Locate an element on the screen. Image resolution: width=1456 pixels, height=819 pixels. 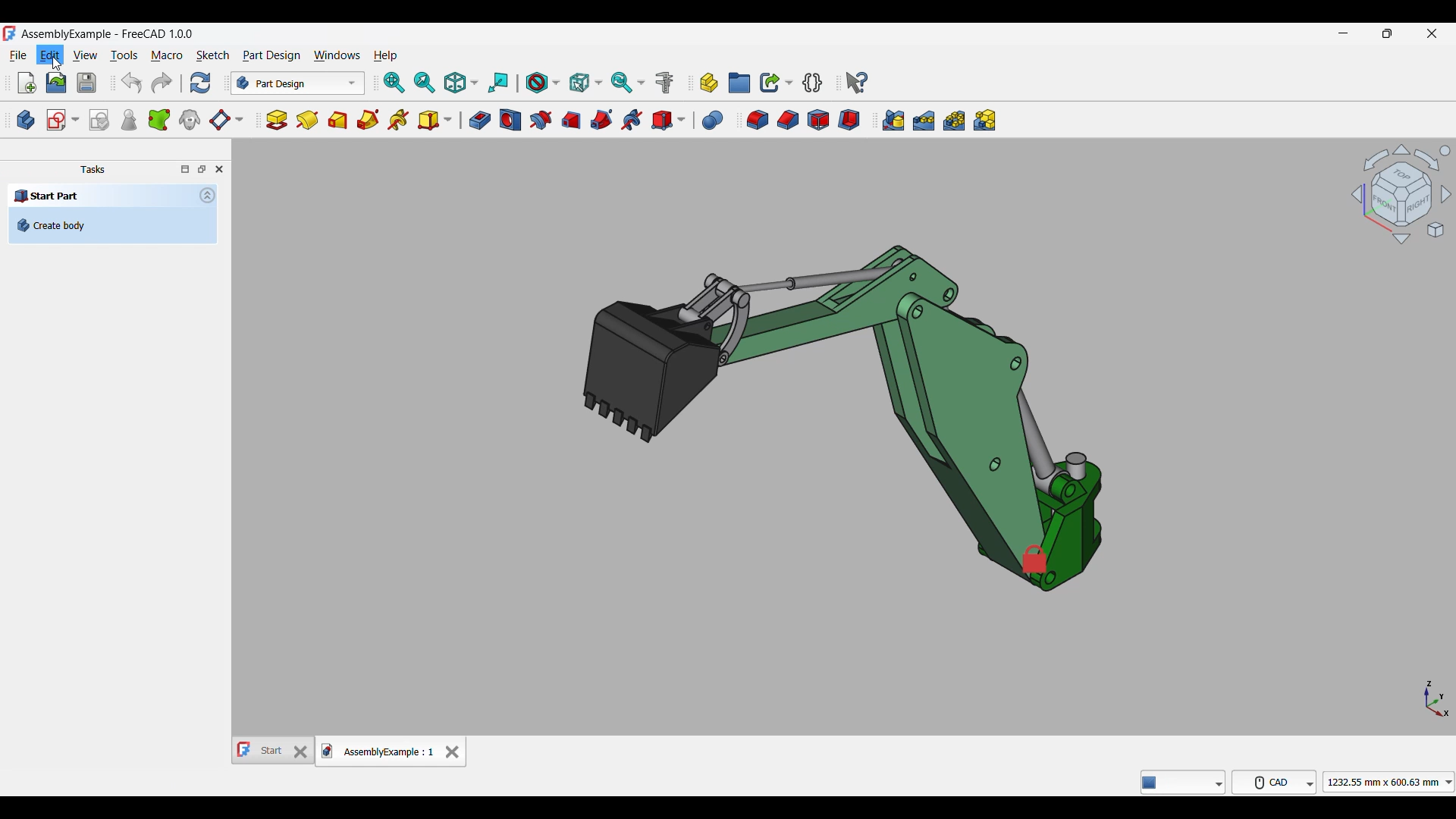
Create sketch options is located at coordinates (62, 121).